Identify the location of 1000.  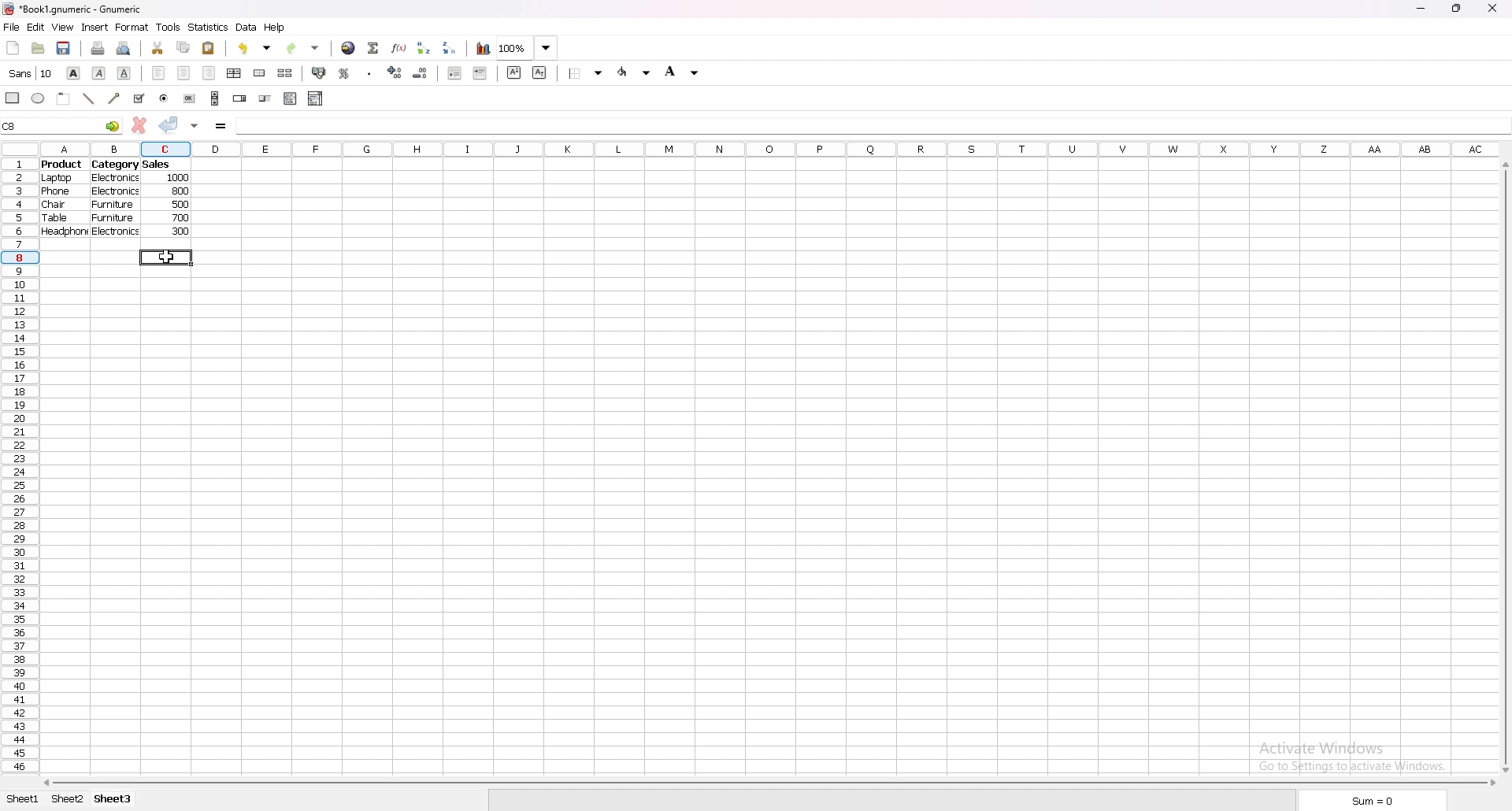
(180, 179).